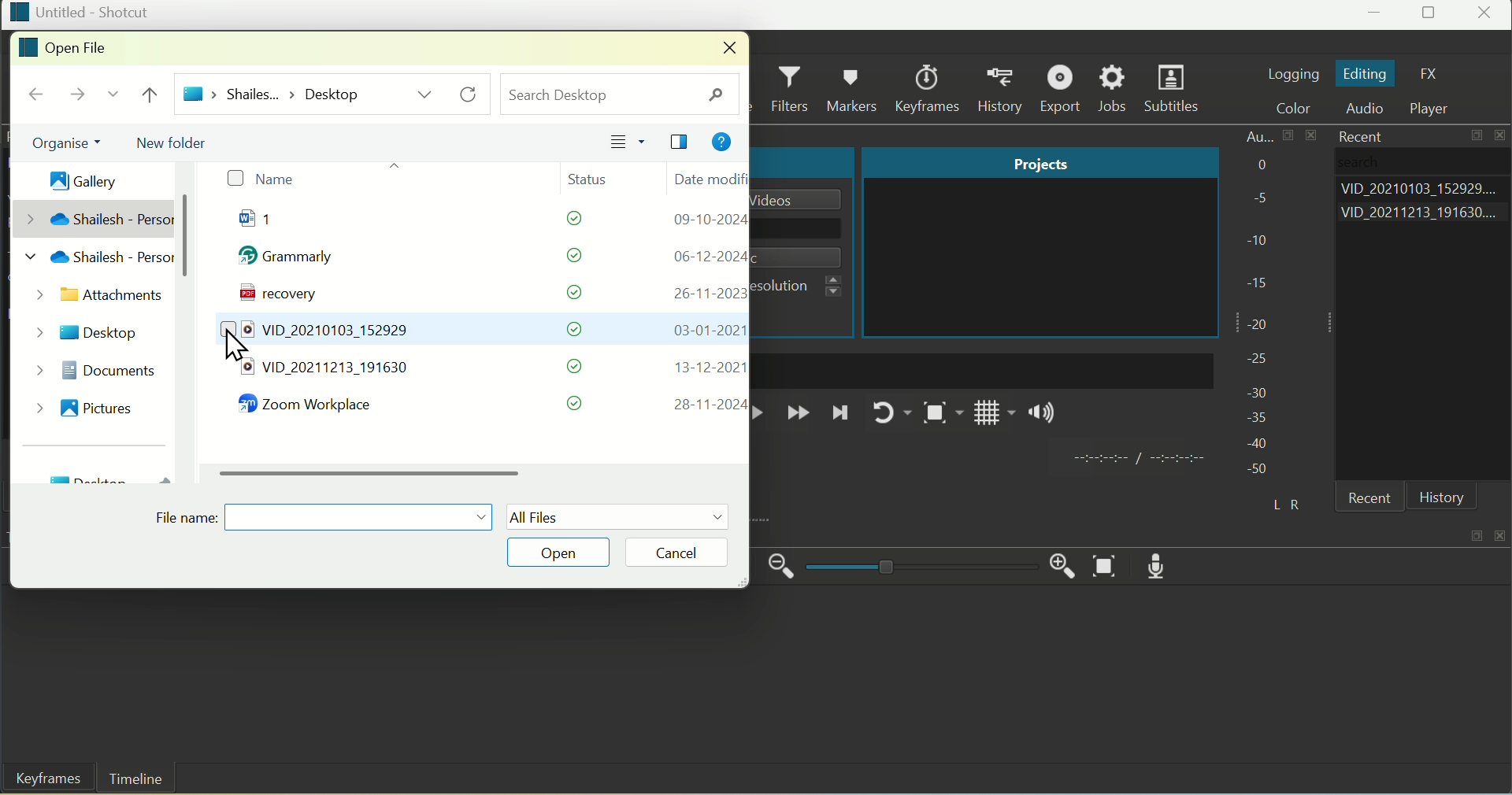 The image size is (1512, 795). I want to click on Mic, so click(1163, 565).